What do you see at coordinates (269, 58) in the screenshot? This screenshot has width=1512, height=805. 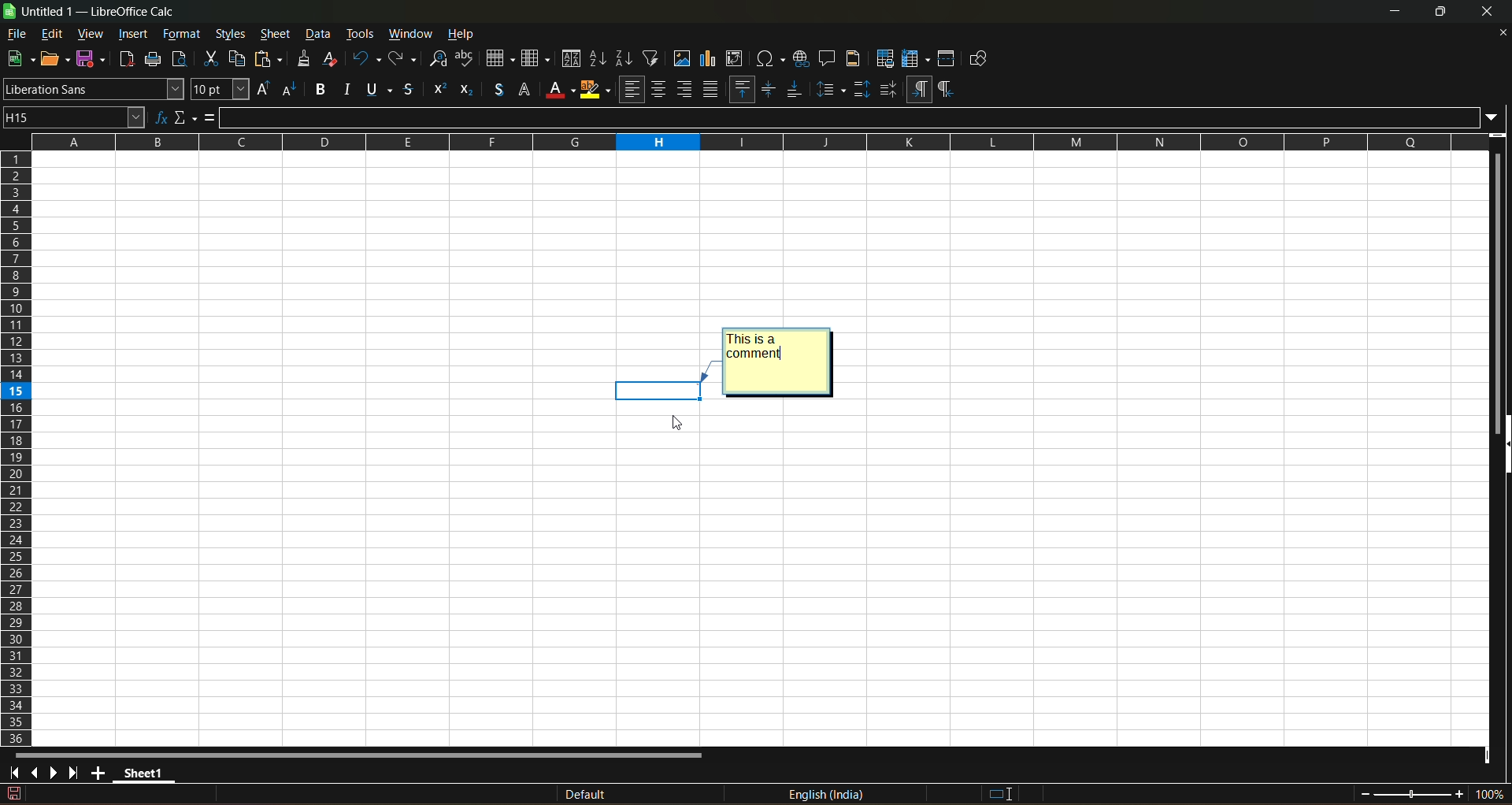 I see `paste` at bounding box center [269, 58].